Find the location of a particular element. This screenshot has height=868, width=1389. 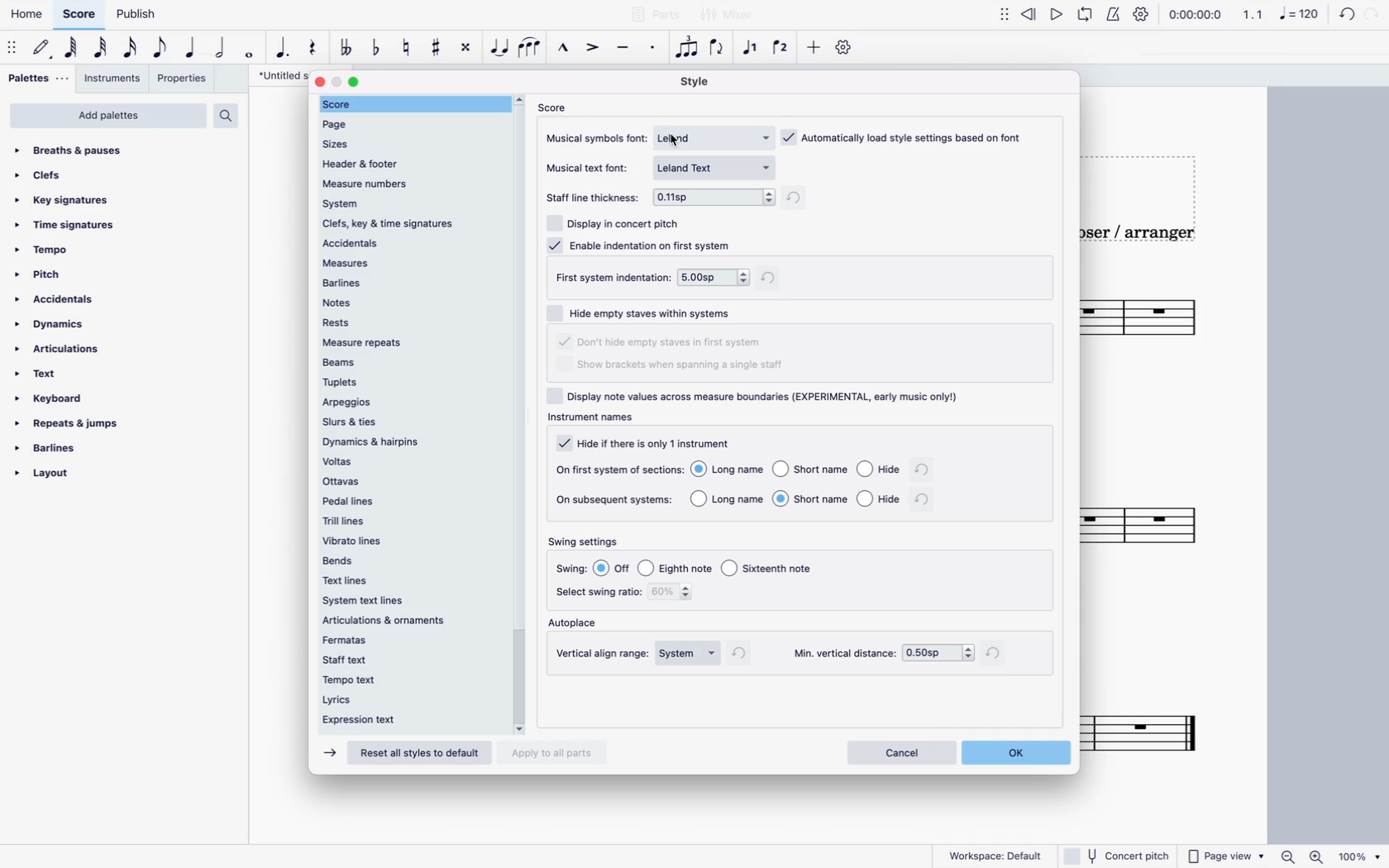

32nd note is located at coordinates (102, 51).